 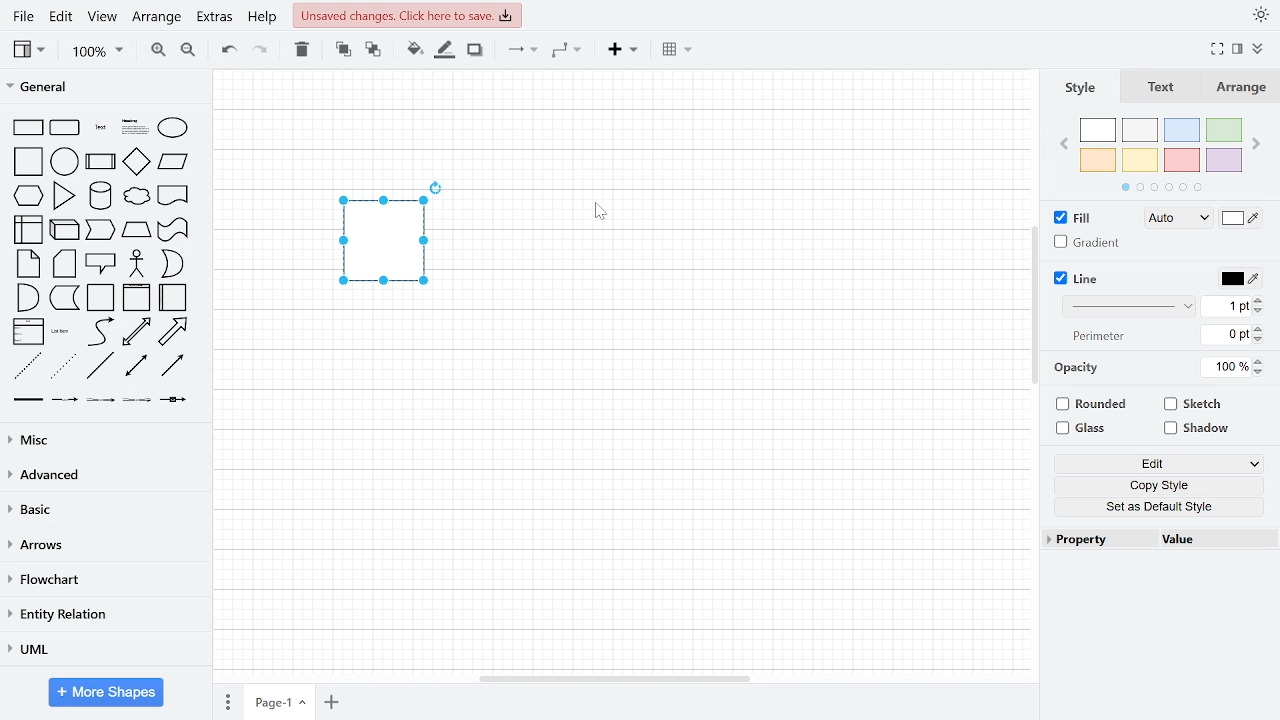 What do you see at coordinates (1242, 87) in the screenshot?
I see `arrange` at bounding box center [1242, 87].